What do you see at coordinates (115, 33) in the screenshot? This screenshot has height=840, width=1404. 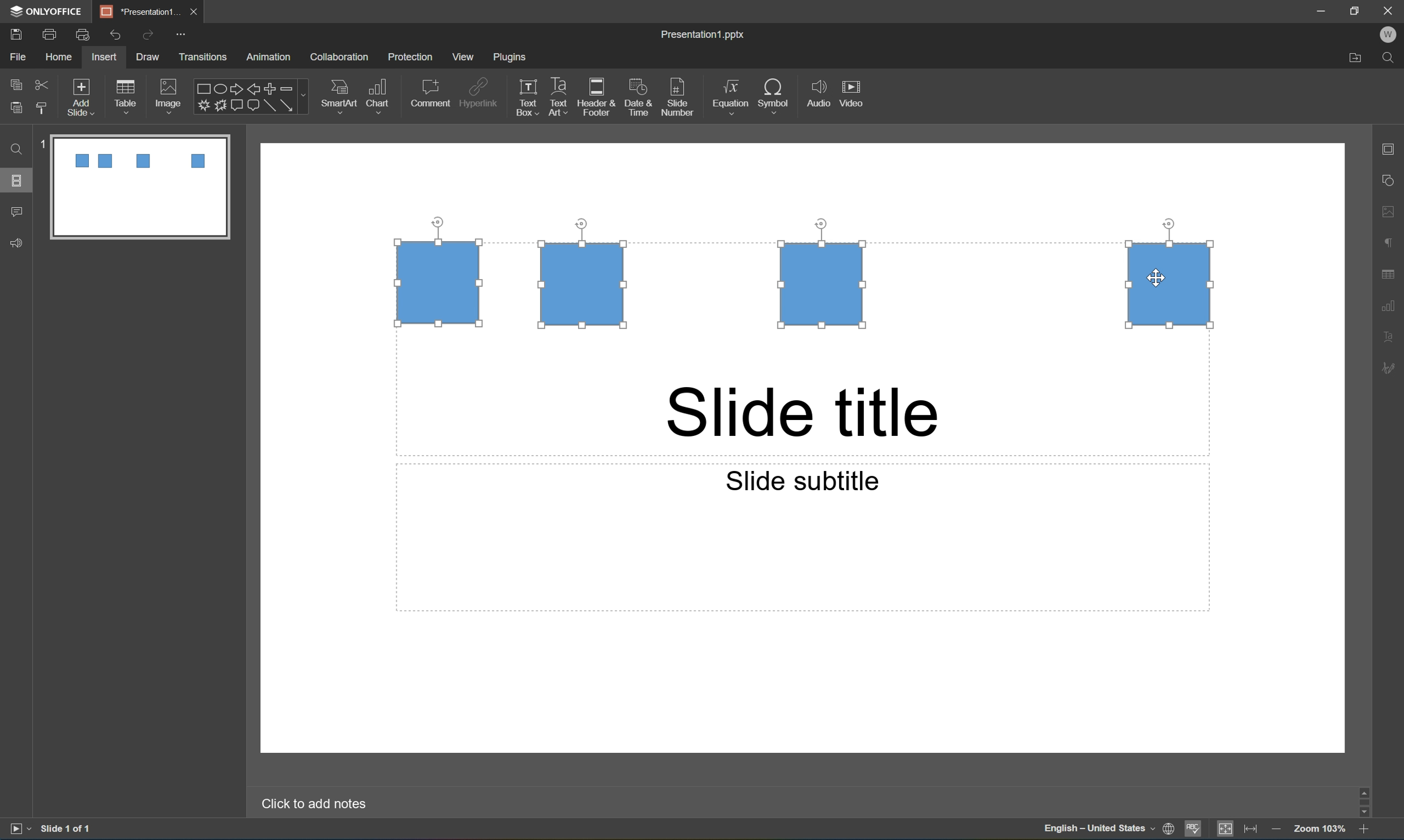 I see `Undo` at bounding box center [115, 33].